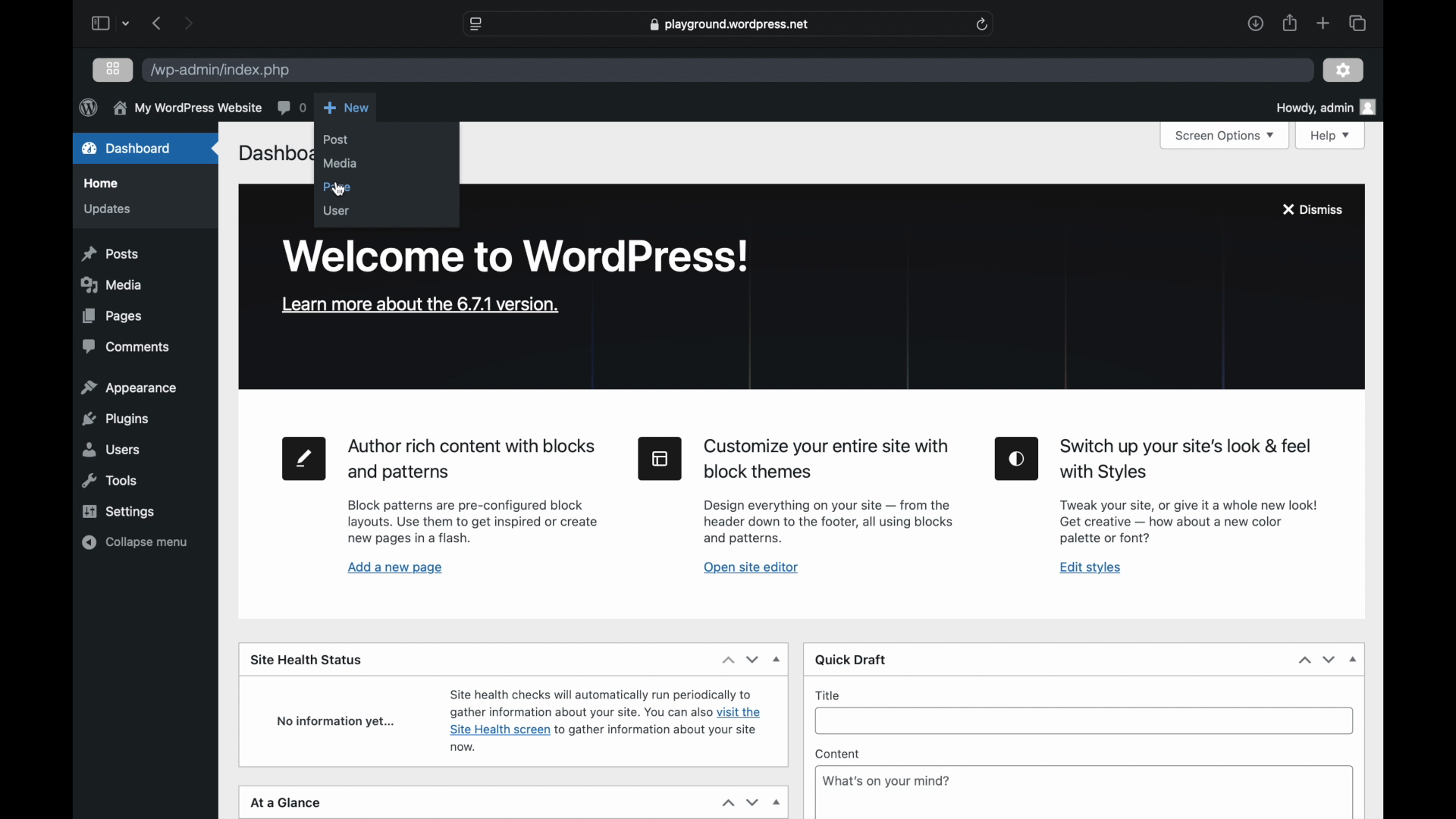 The height and width of the screenshot is (819, 1456). What do you see at coordinates (291, 108) in the screenshot?
I see `comments` at bounding box center [291, 108].